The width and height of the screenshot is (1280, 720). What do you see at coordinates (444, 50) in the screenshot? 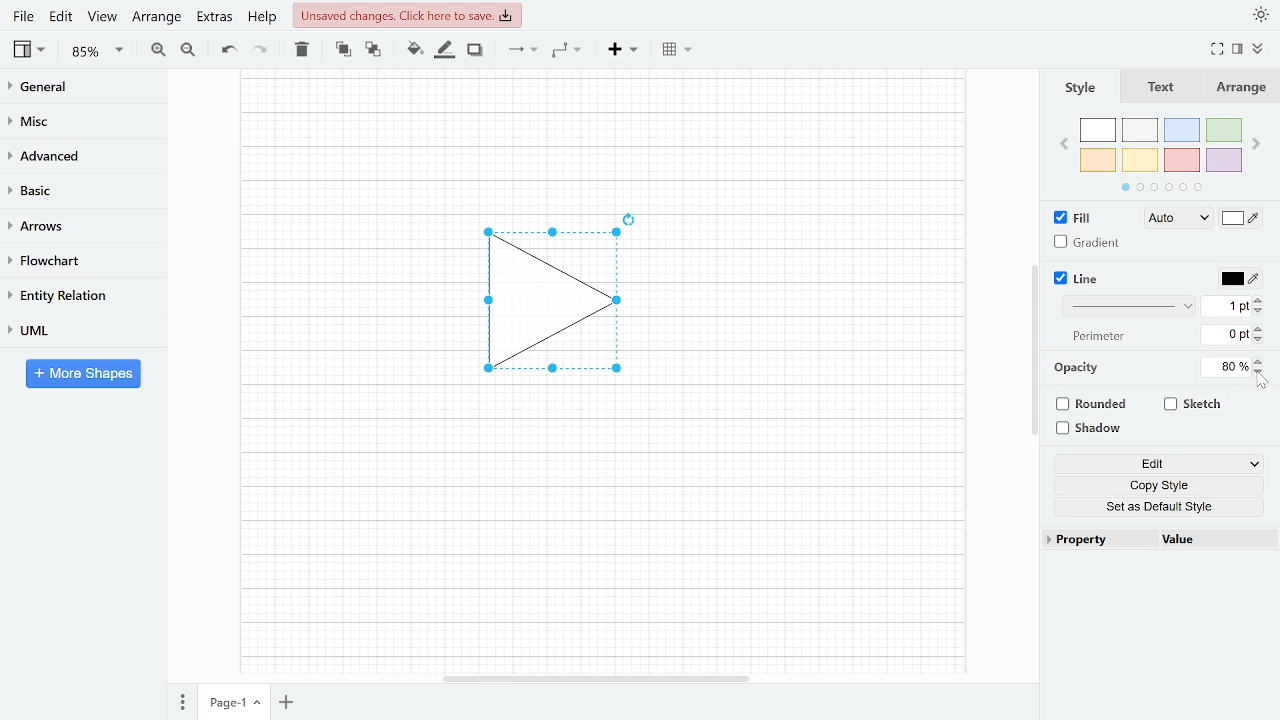
I see `Fill line` at bounding box center [444, 50].